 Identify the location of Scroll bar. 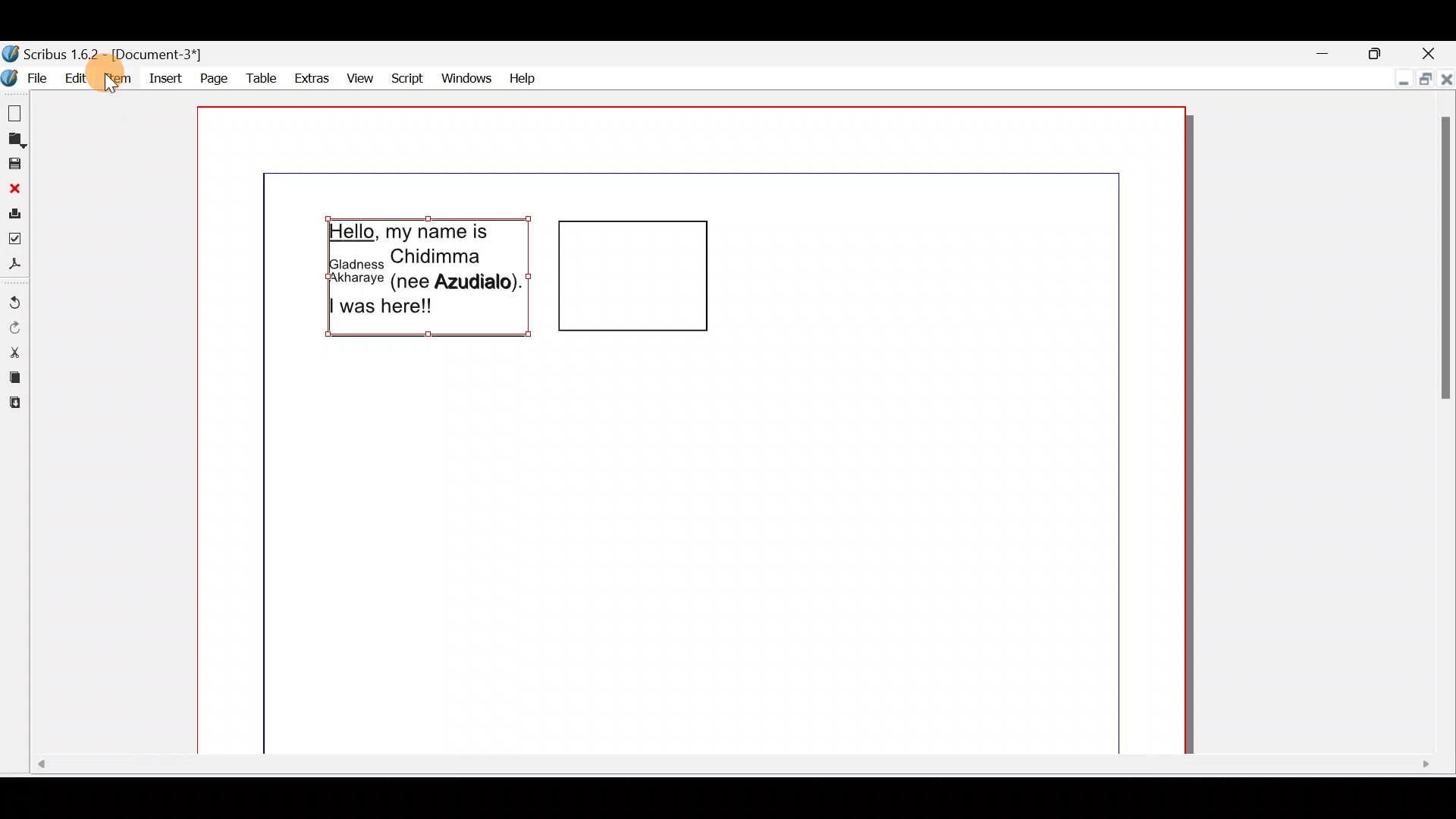
(730, 771).